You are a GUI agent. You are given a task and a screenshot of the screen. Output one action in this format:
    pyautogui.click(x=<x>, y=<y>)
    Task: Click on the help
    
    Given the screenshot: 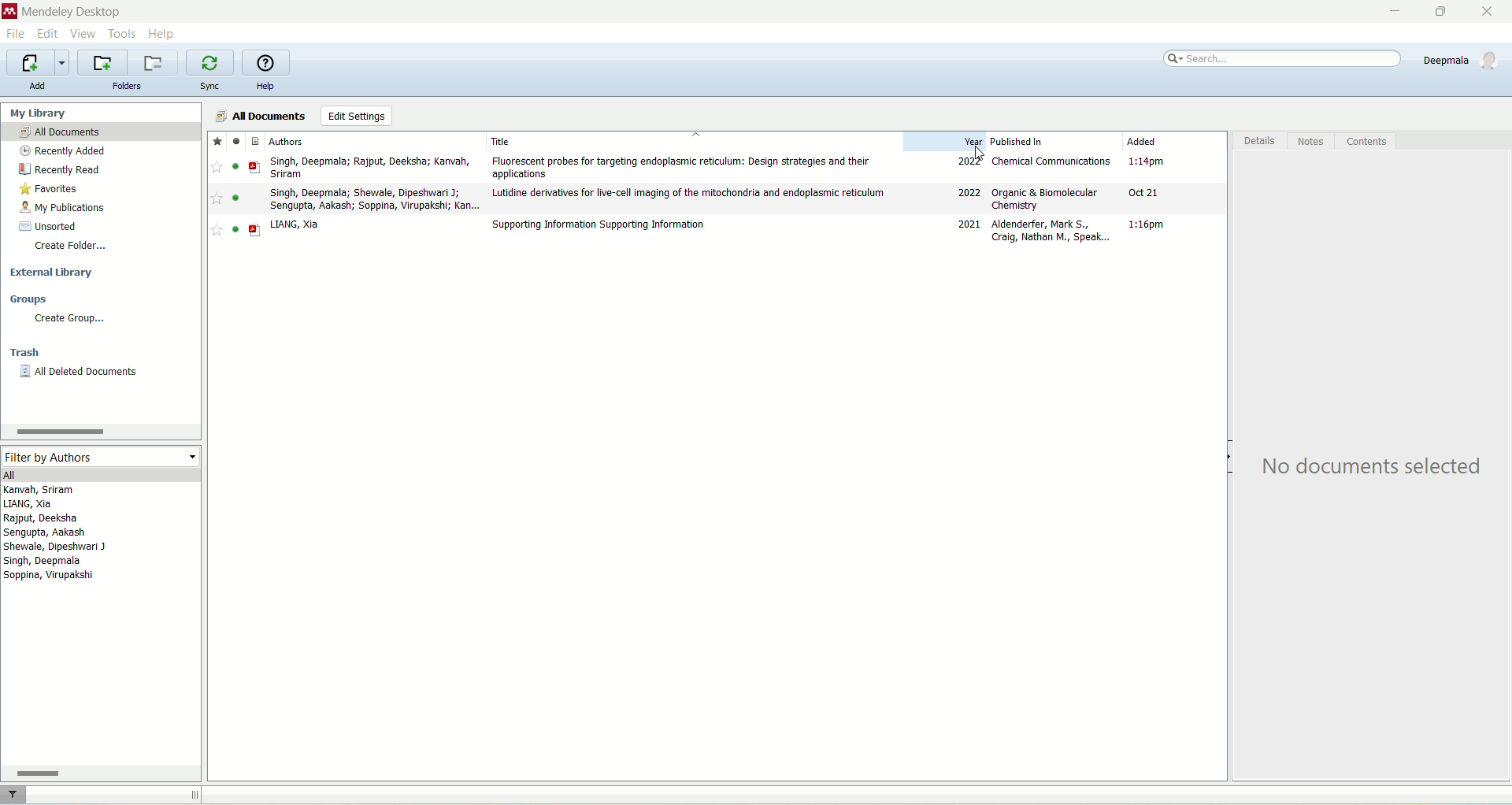 What is the action you would take?
    pyautogui.click(x=265, y=87)
    